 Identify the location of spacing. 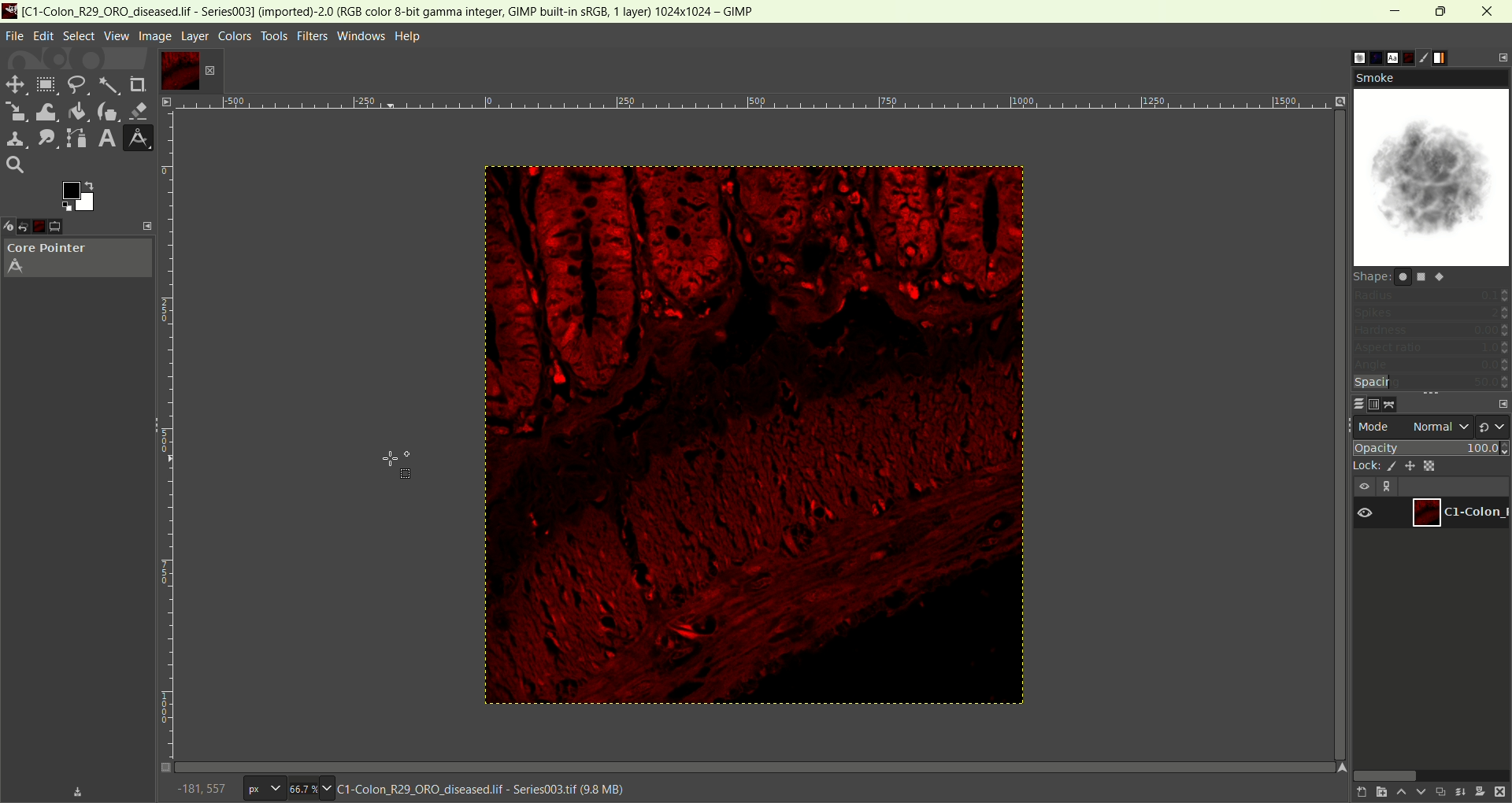
(1429, 383).